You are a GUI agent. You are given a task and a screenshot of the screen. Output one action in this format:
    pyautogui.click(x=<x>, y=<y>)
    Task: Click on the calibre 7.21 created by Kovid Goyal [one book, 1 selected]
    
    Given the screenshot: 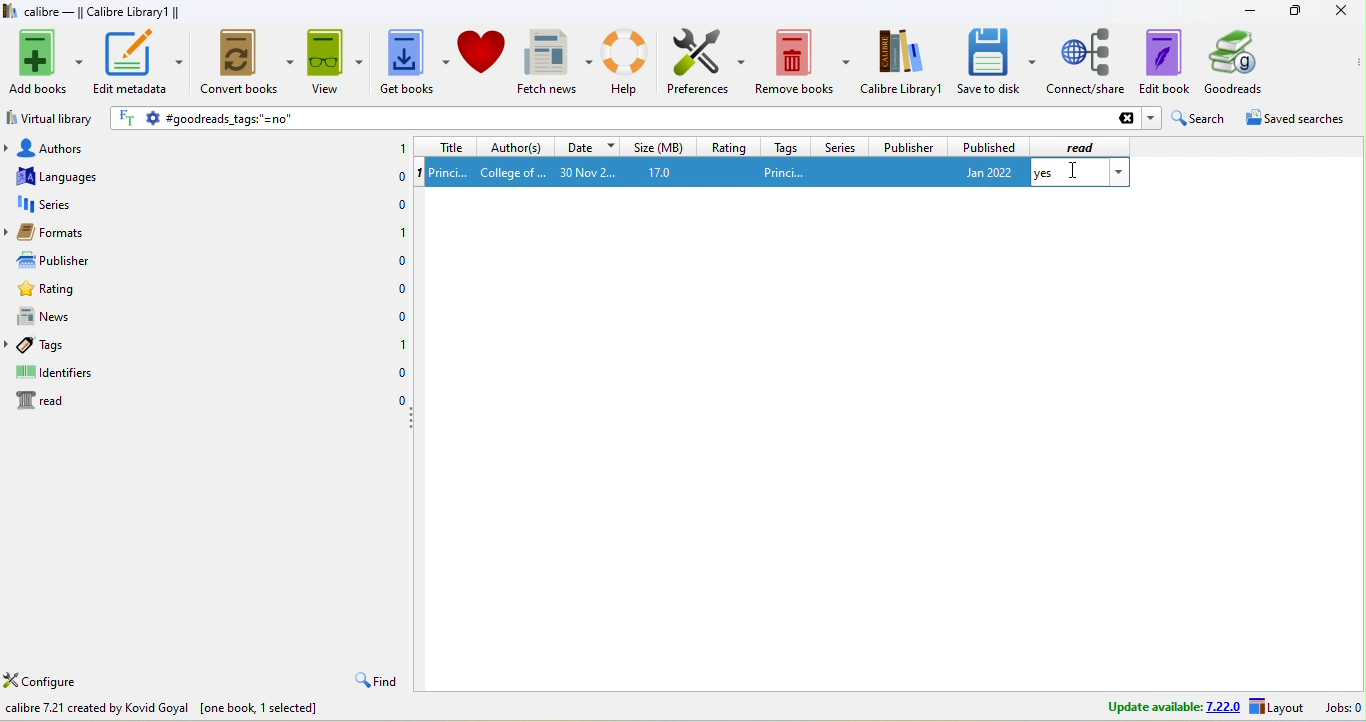 What is the action you would take?
    pyautogui.click(x=161, y=709)
    